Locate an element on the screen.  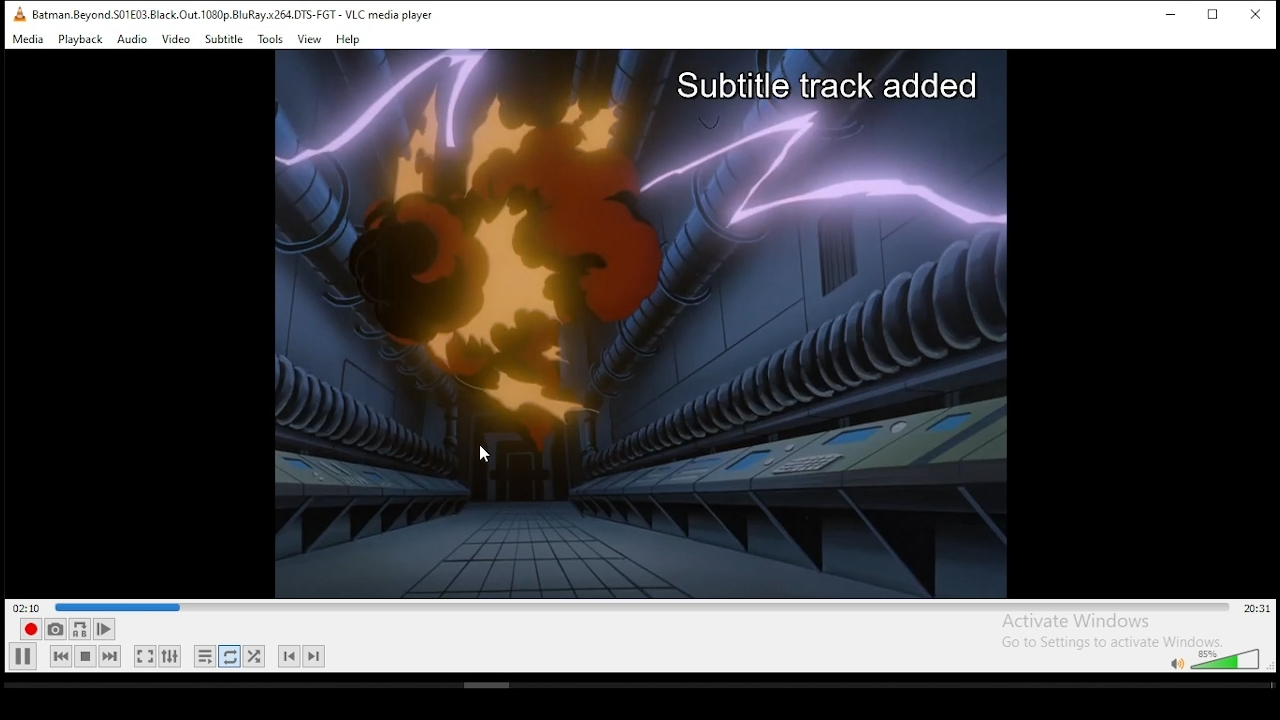
remaining/total time is located at coordinates (1256, 608).